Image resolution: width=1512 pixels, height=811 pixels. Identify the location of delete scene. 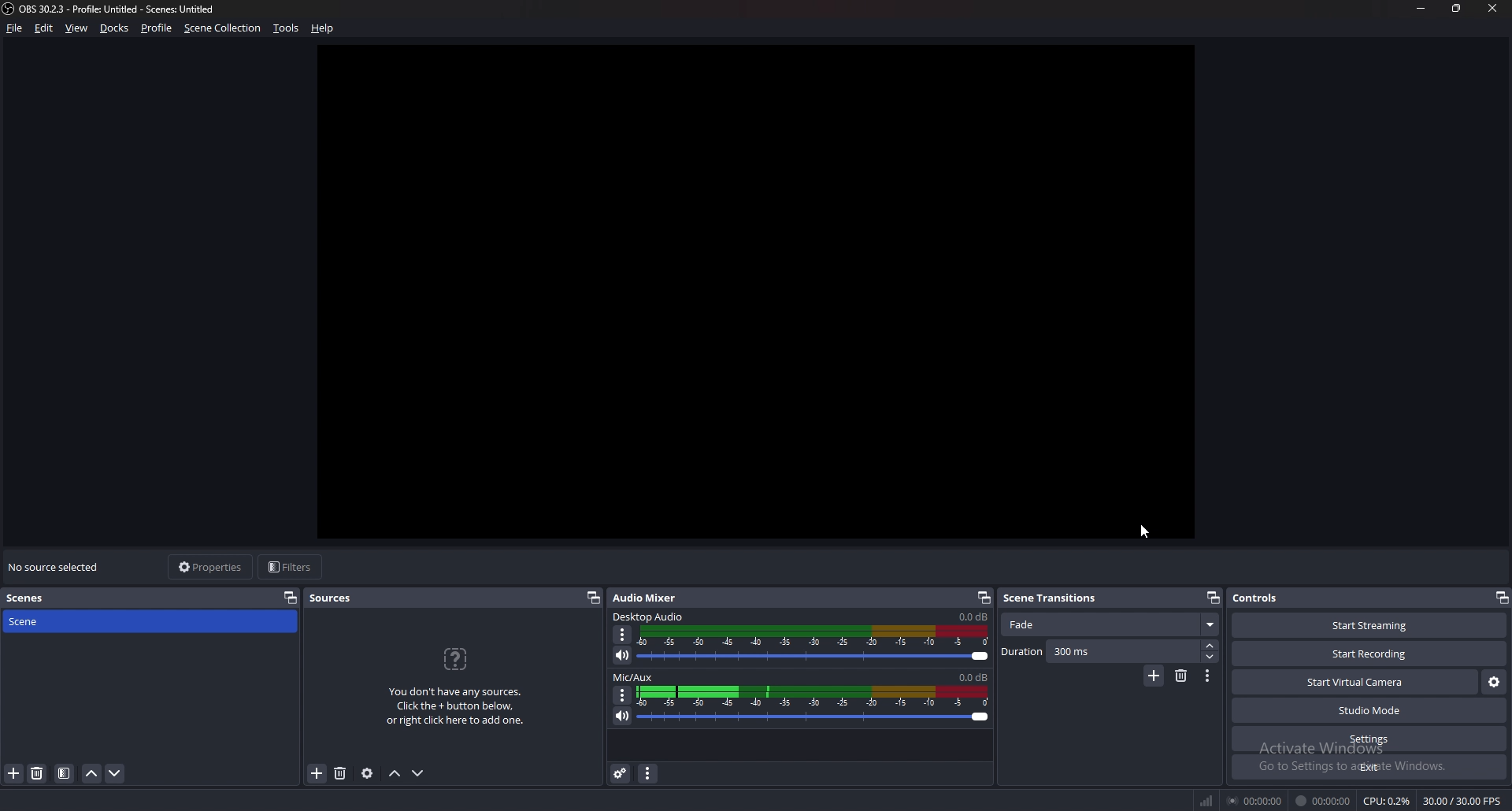
(1183, 676).